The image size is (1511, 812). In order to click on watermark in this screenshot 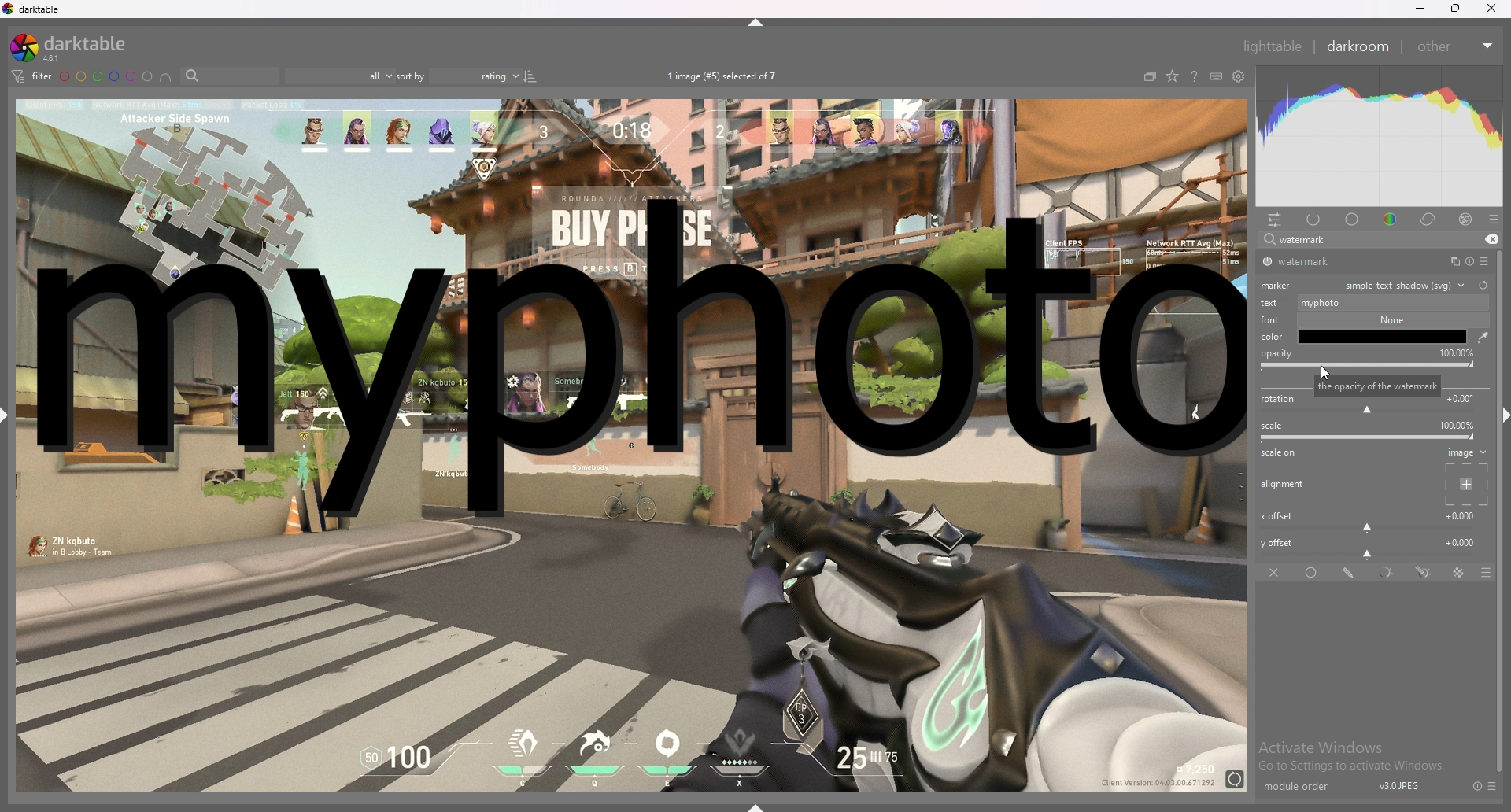, I will do `click(1317, 262)`.